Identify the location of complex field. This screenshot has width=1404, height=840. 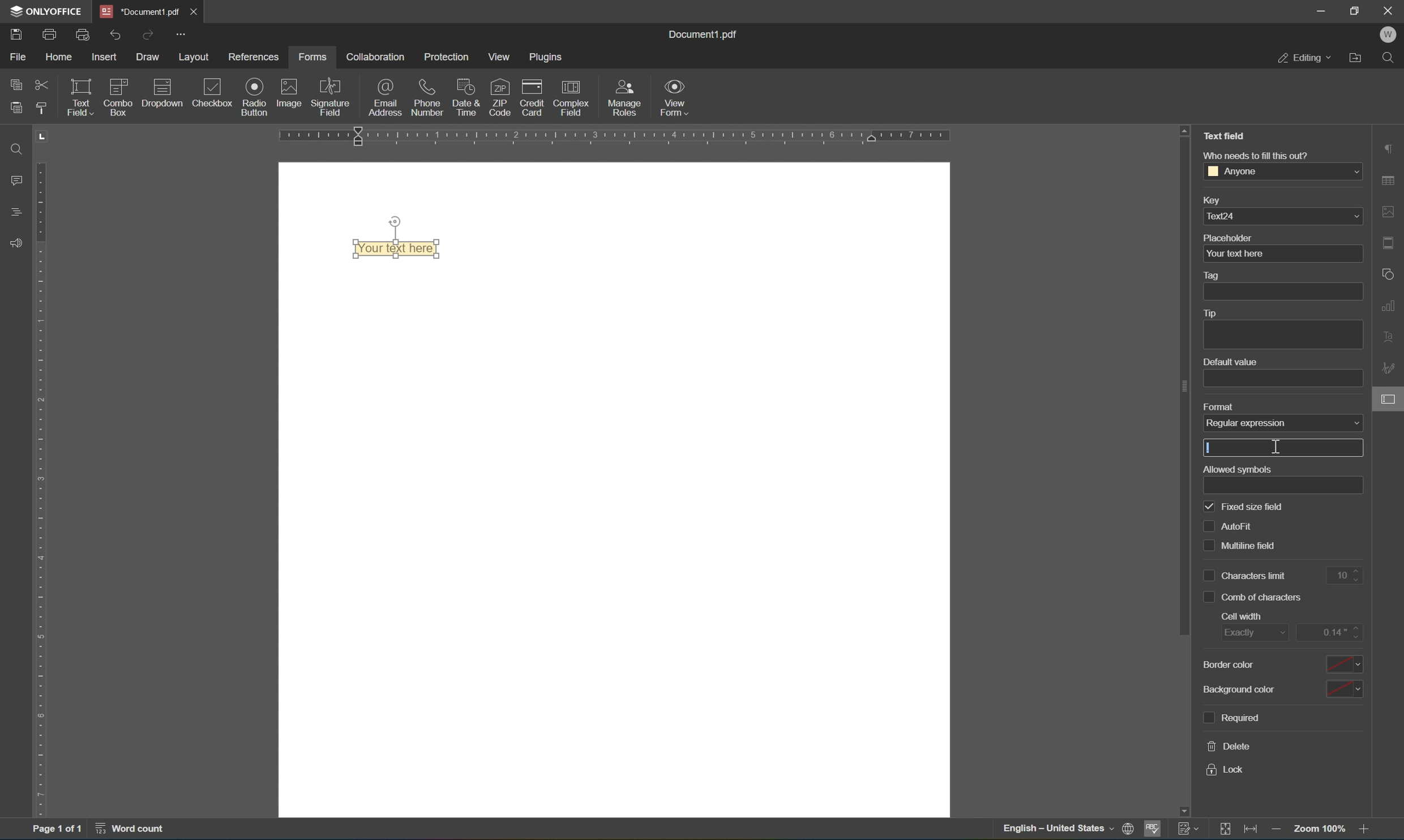
(570, 98).